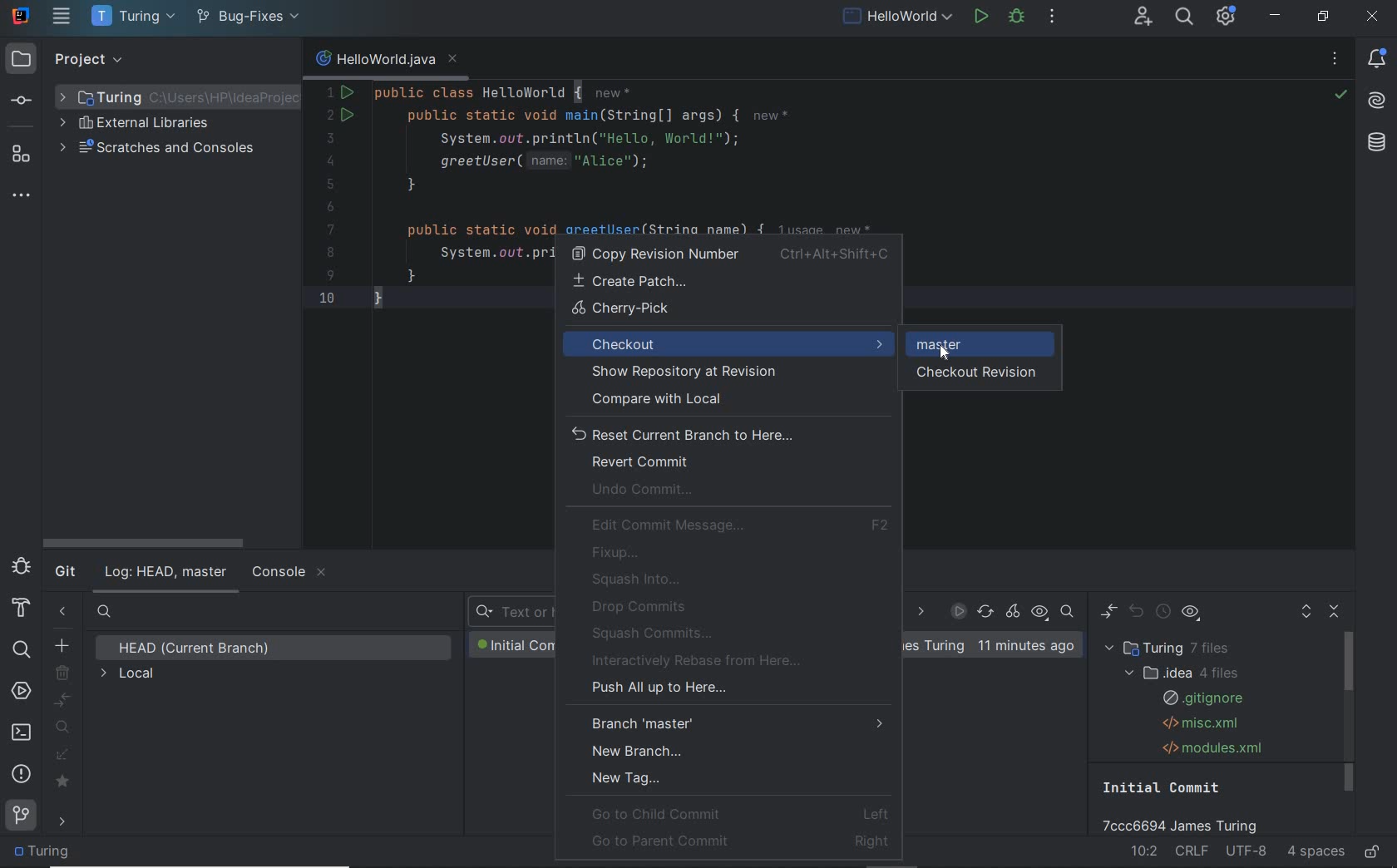 This screenshot has width=1397, height=868. I want to click on select opened file, so click(170, 61).